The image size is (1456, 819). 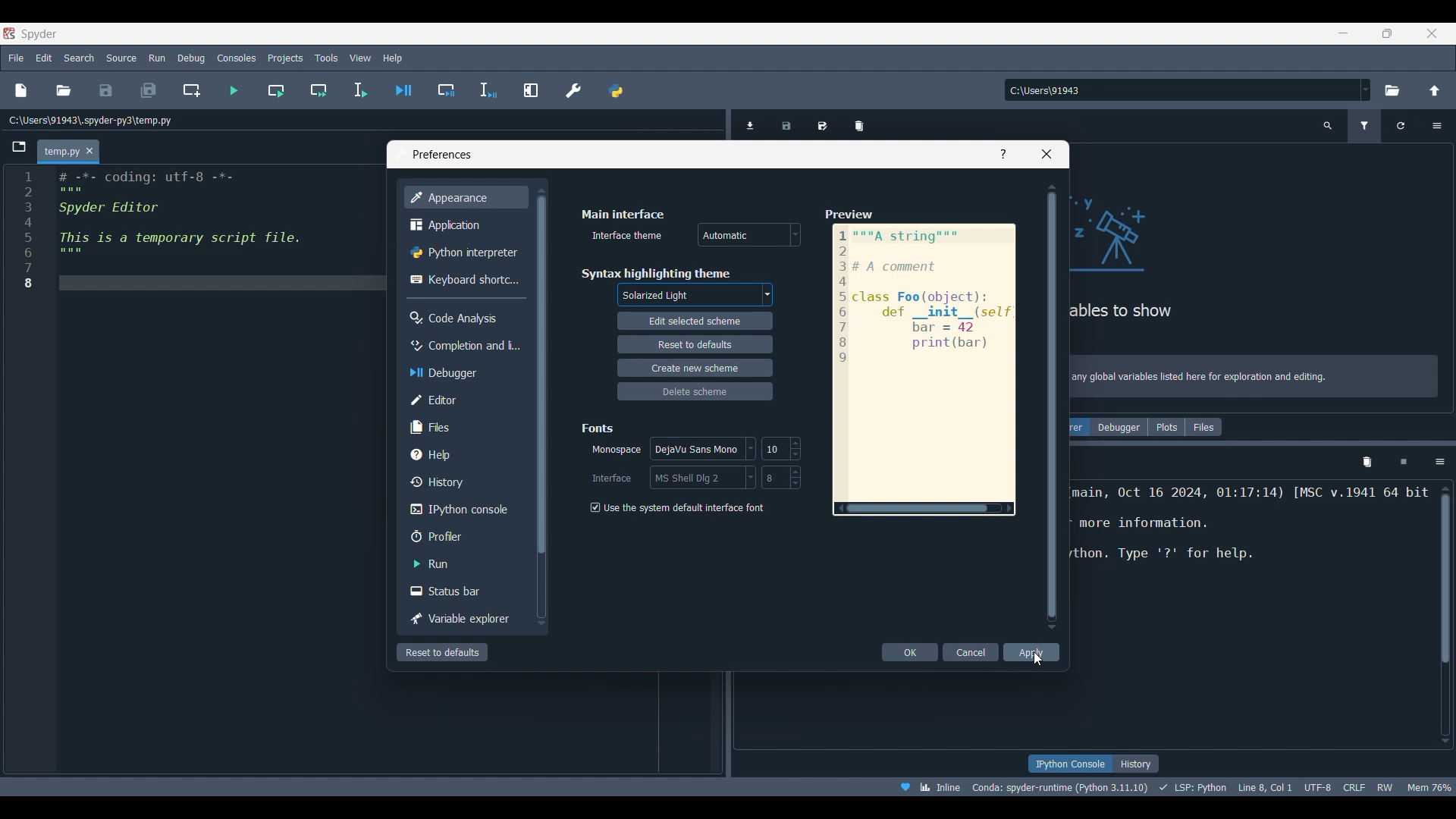 What do you see at coordinates (1364, 126) in the screenshot?
I see `Filter variables` at bounding box center [1364, 126].